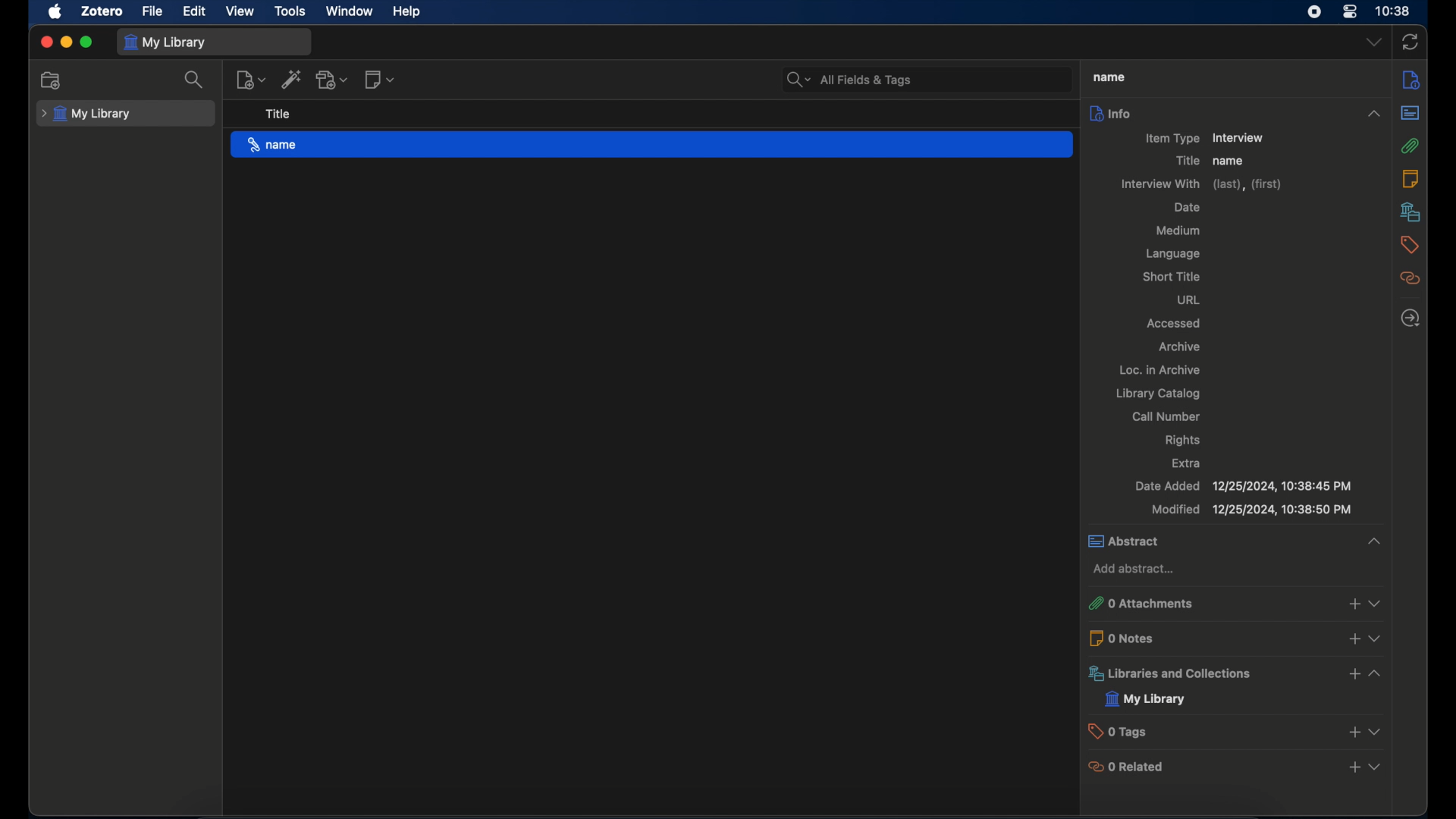 The height and width of the screenshot is (819, 1456). What do you see at coordinates (194, 79) in the screenshot?
I see `search` at bounding box center [194, 79].